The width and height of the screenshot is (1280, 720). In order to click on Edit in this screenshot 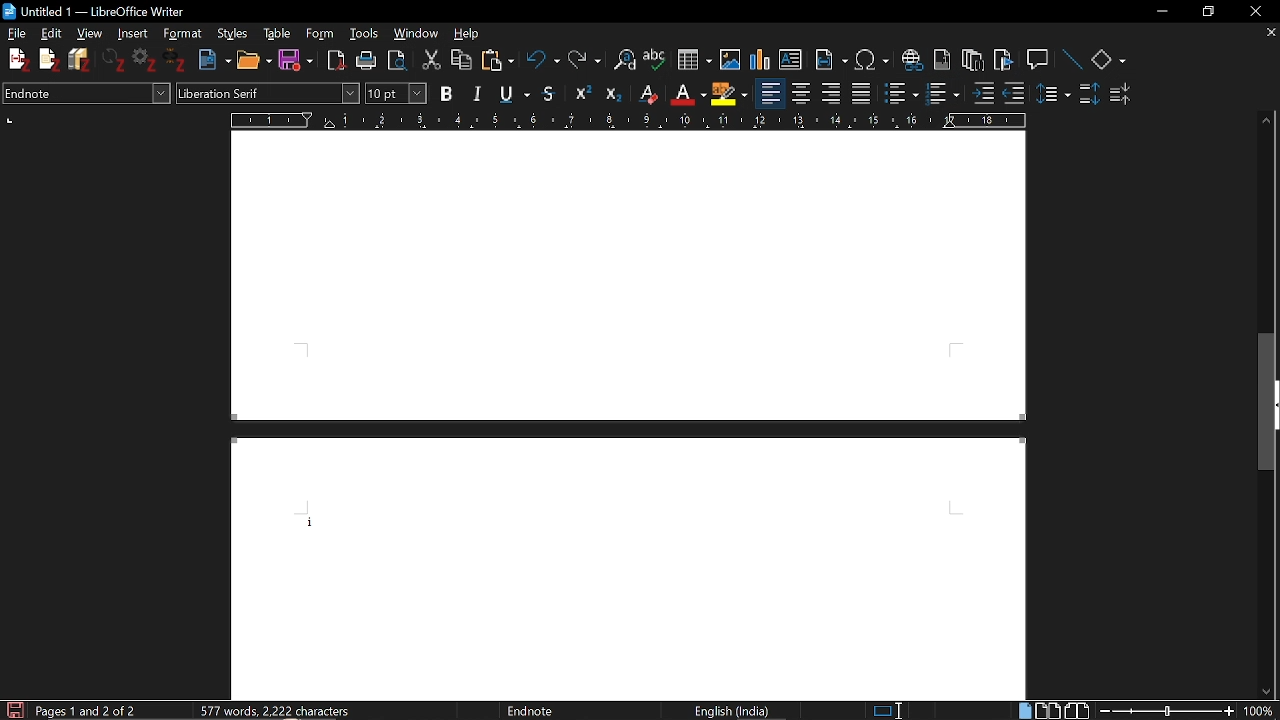, I will do `click(53, 33)`.